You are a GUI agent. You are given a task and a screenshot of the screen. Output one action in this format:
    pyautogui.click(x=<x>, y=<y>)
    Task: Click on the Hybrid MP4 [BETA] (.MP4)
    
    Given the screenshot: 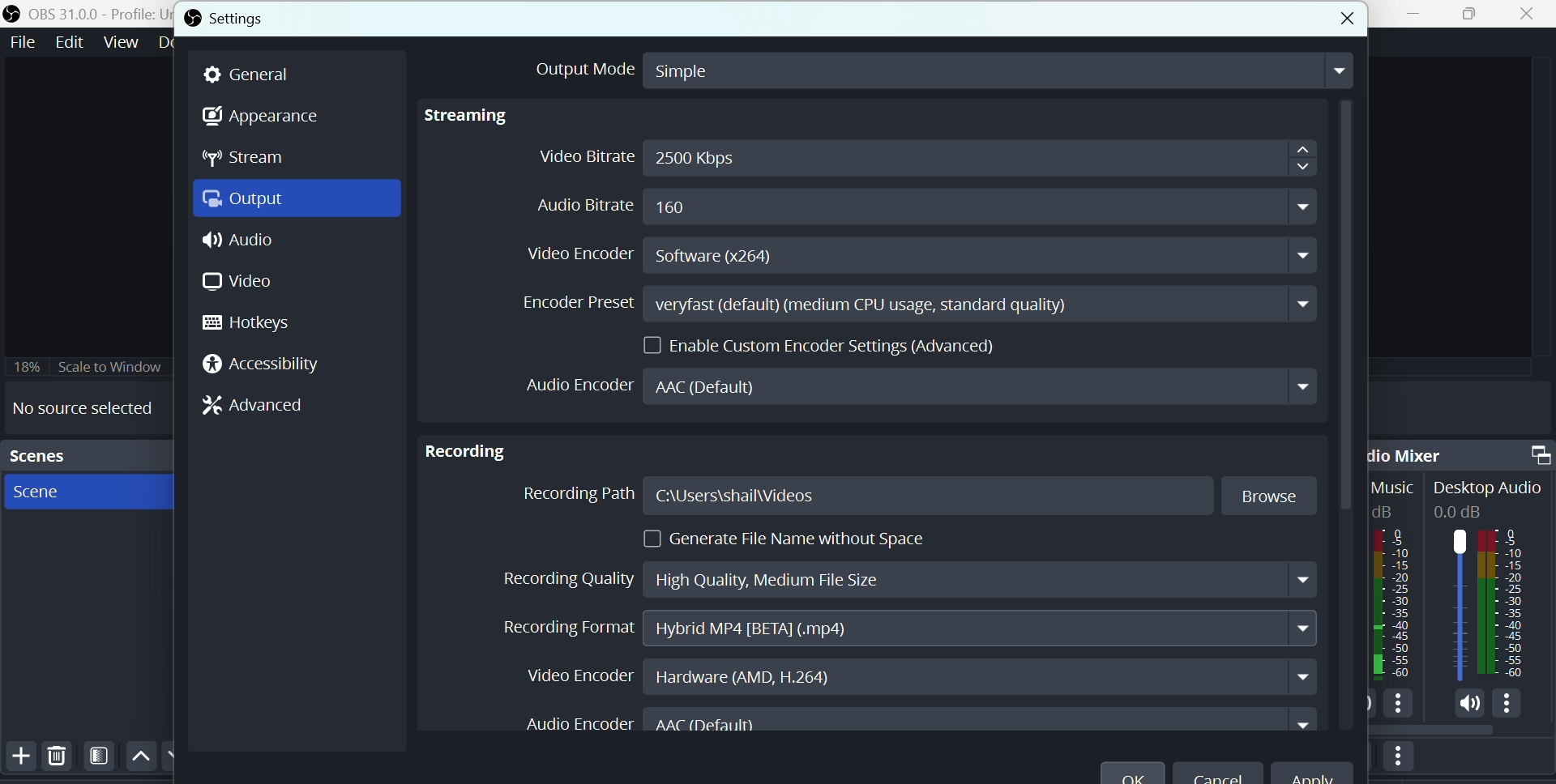 What is the action you would take?
    pyautogui.click(x=983, y=625)
    